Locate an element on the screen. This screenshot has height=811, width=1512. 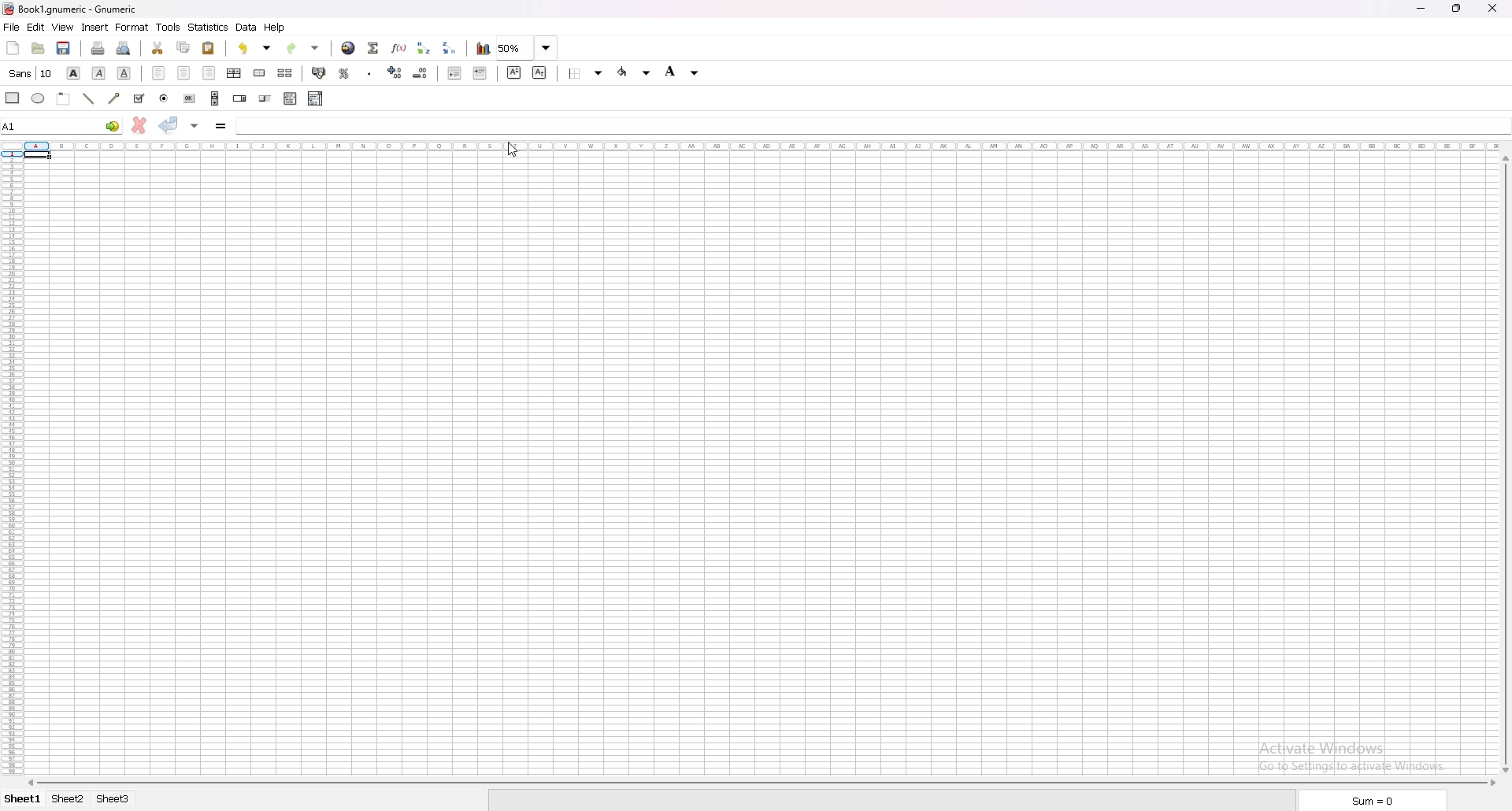
center horizontally is located at coordinates (234, 73).